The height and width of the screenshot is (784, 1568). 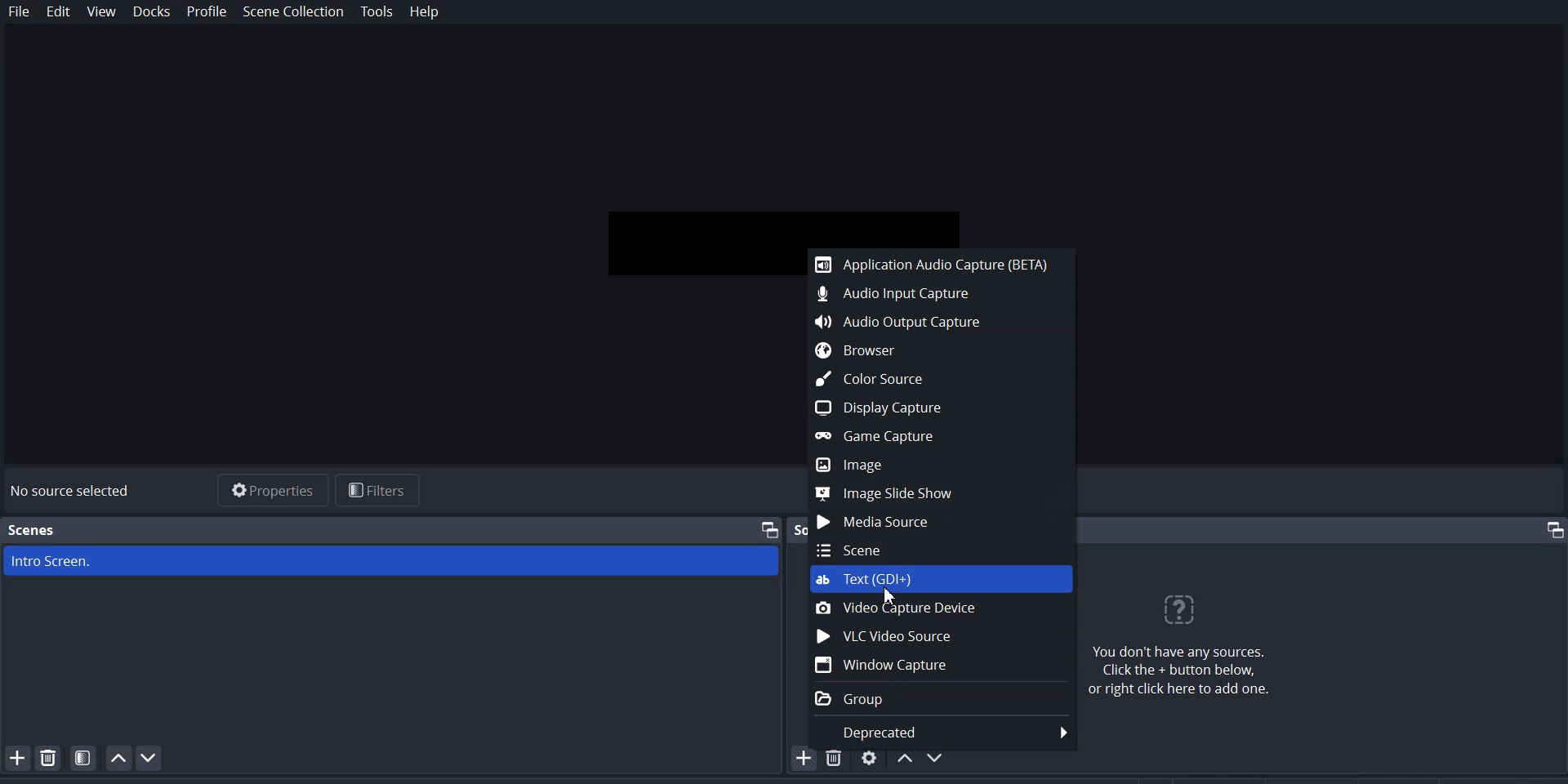 I want to click on Profile, so click(x=207, y=12).